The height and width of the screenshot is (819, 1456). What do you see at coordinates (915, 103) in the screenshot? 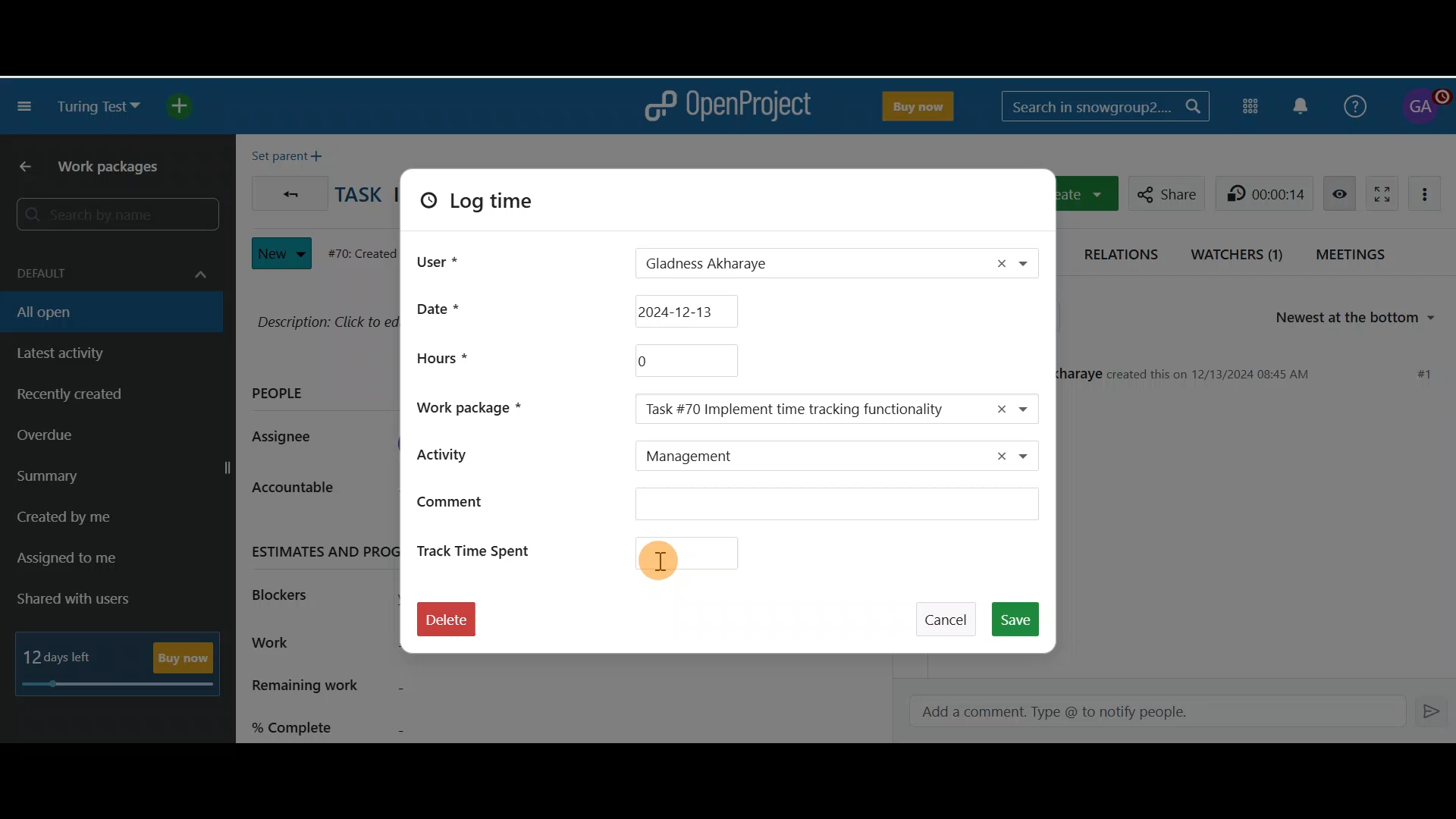
I see `Buy Now` at bounding box center [915, 103].